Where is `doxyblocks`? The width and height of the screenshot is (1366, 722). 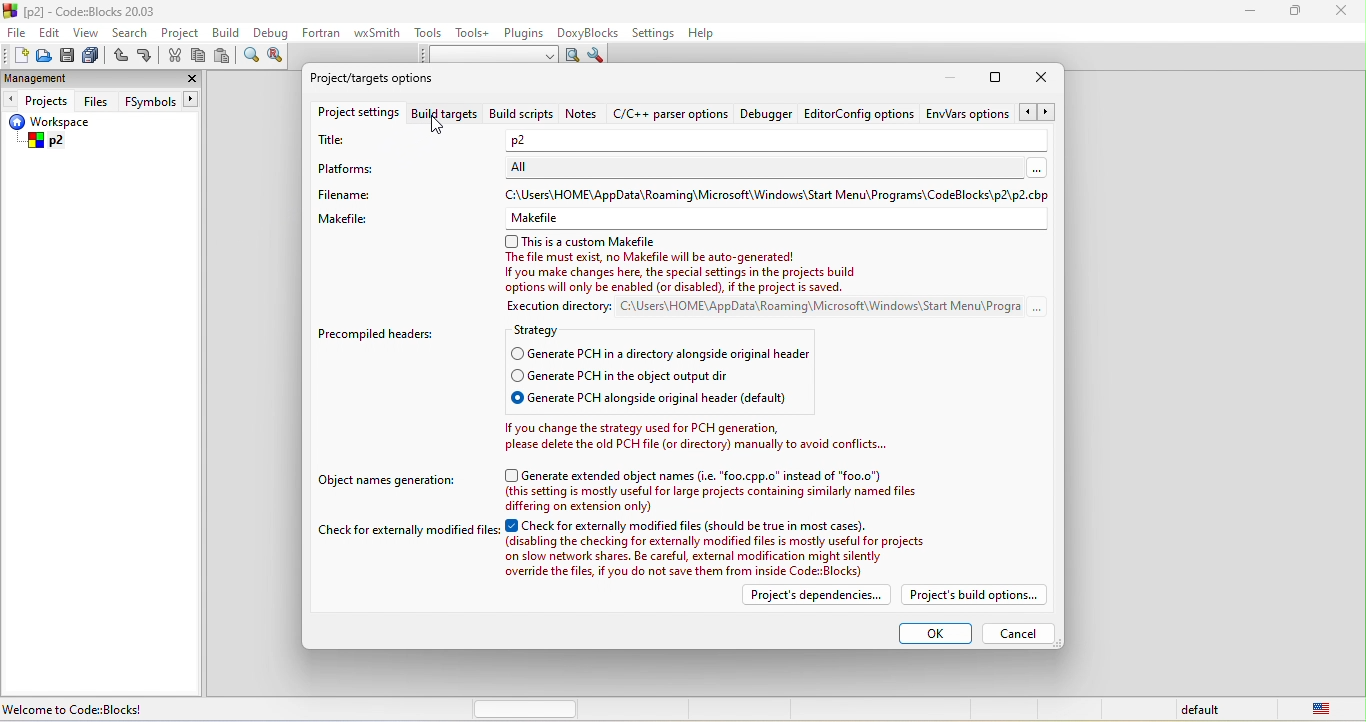 doxyblocks is located at coordinates (591, 32).